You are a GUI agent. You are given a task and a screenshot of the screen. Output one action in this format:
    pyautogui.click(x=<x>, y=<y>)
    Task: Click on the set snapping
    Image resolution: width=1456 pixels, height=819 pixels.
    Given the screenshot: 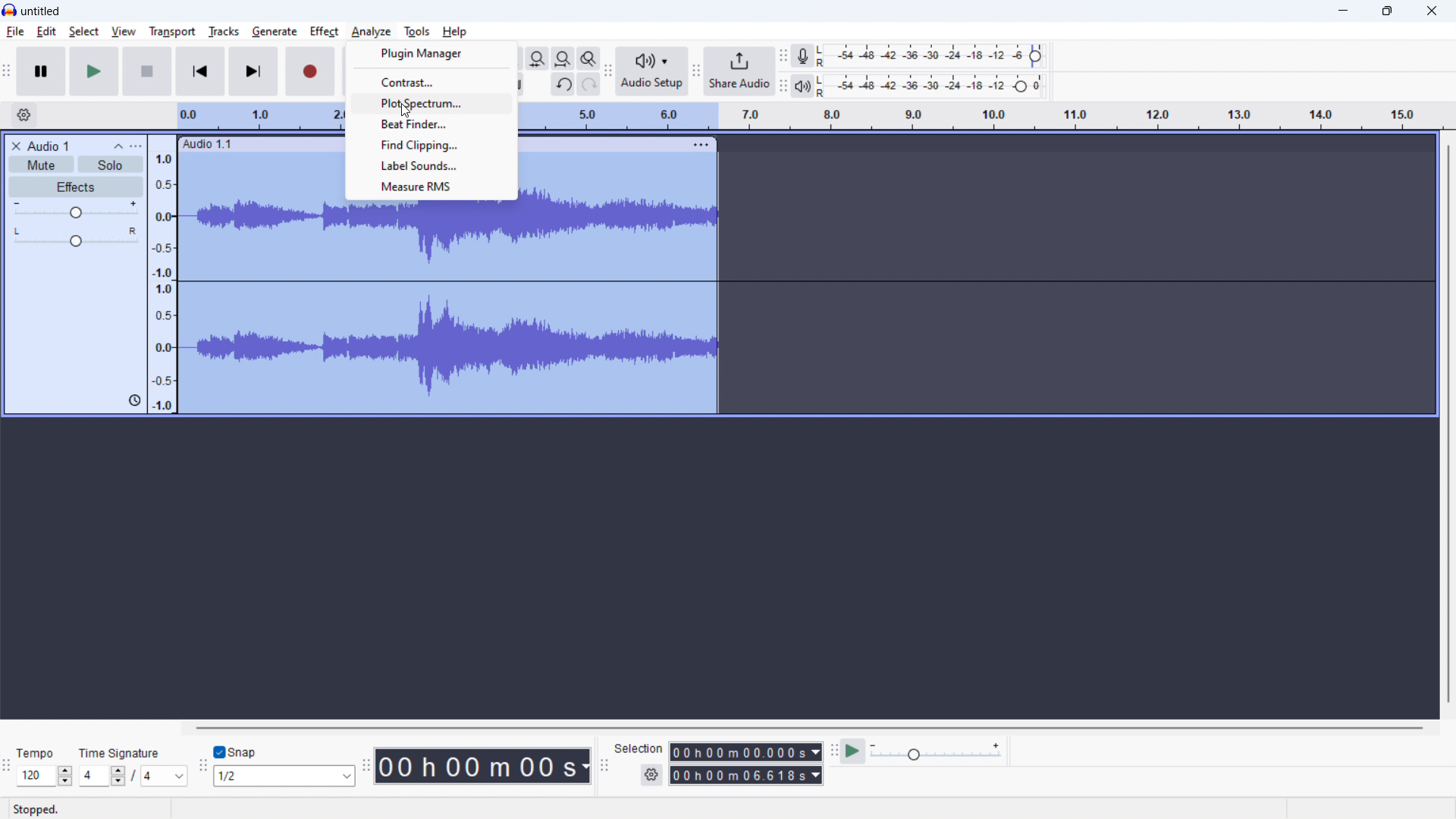 What is the action you would take?
    pyautogui.click(x=284, y=776)
    